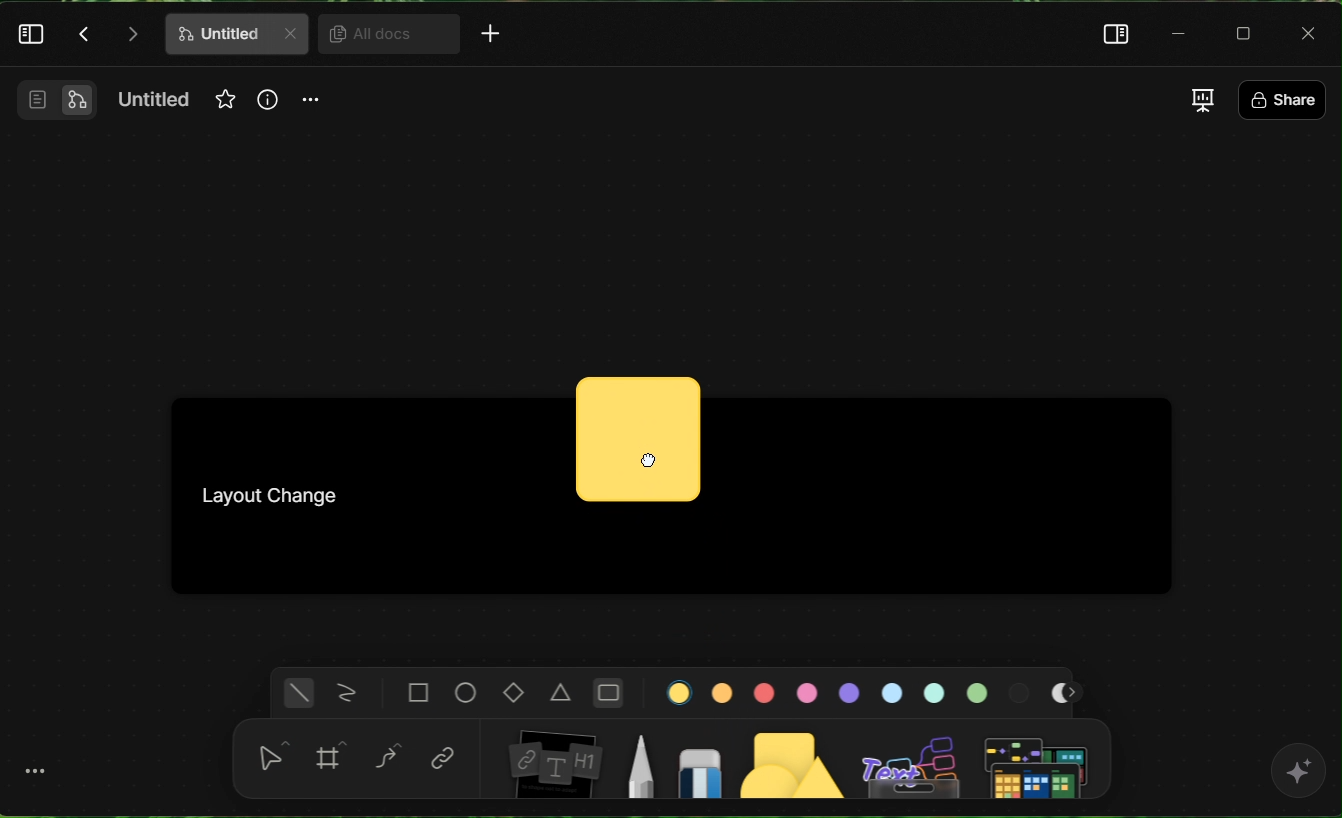 This screenshot has width=1342, height=818. Describe the element at coordinates (639, 760) in the screenshot. I see `pen` at that location.